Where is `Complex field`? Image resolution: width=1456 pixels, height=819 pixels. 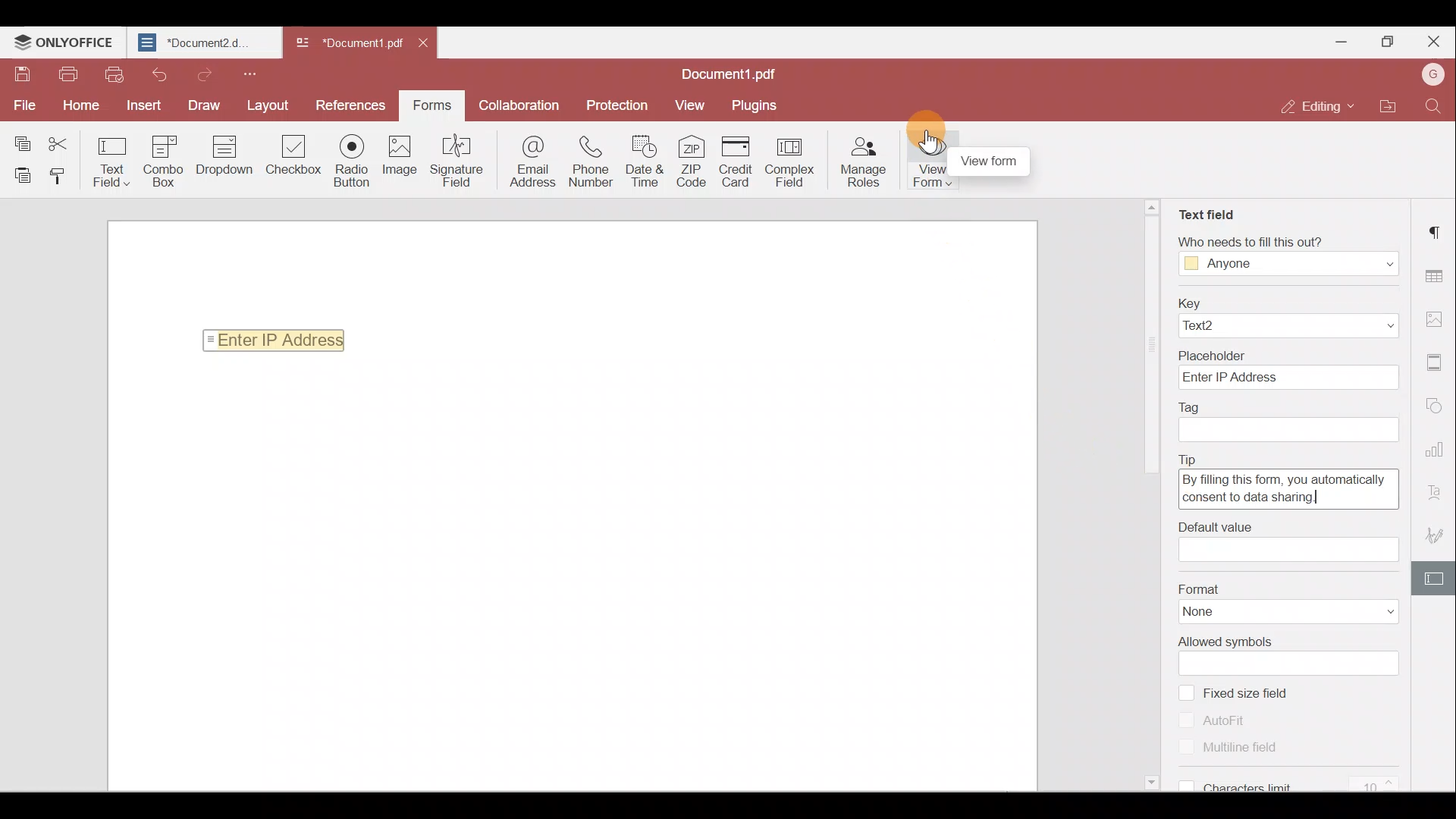
Complex field is located at coordinates (795, 161).